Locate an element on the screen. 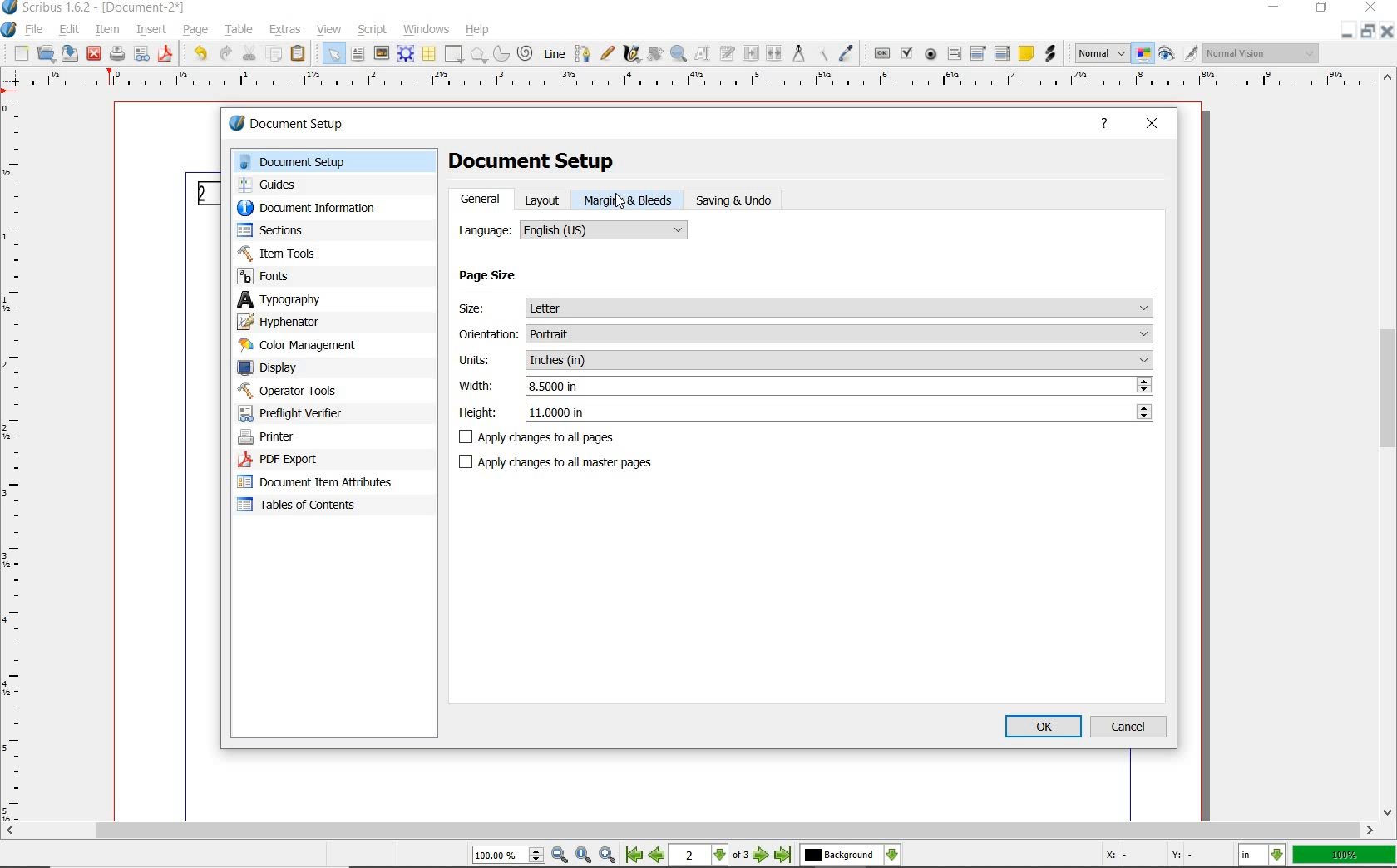 This screenshot has height=868, width=1397. restore is located at coordinates (1321, 9).